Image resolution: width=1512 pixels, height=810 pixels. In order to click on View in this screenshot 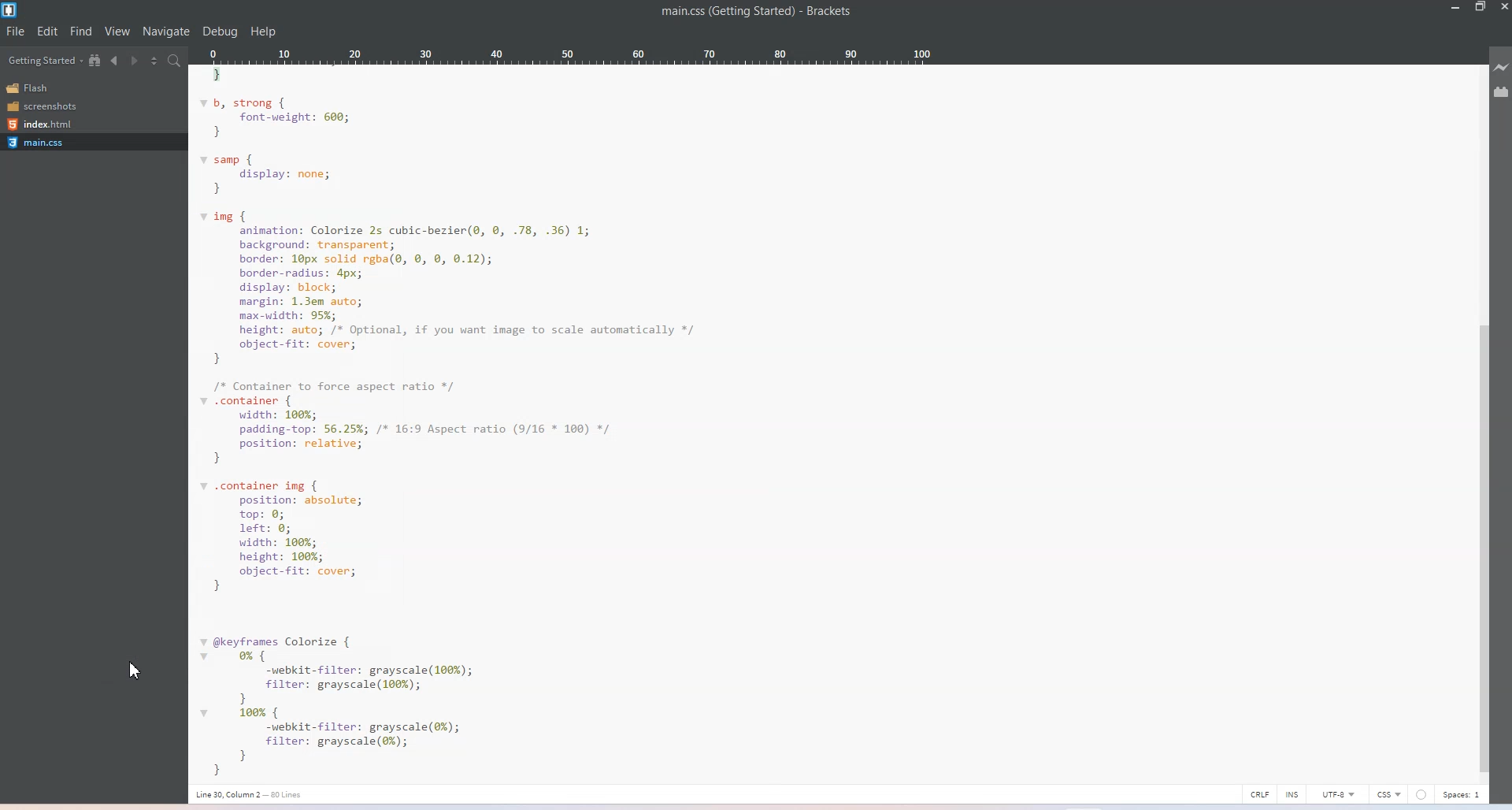, I will do `click(117, 32)`.